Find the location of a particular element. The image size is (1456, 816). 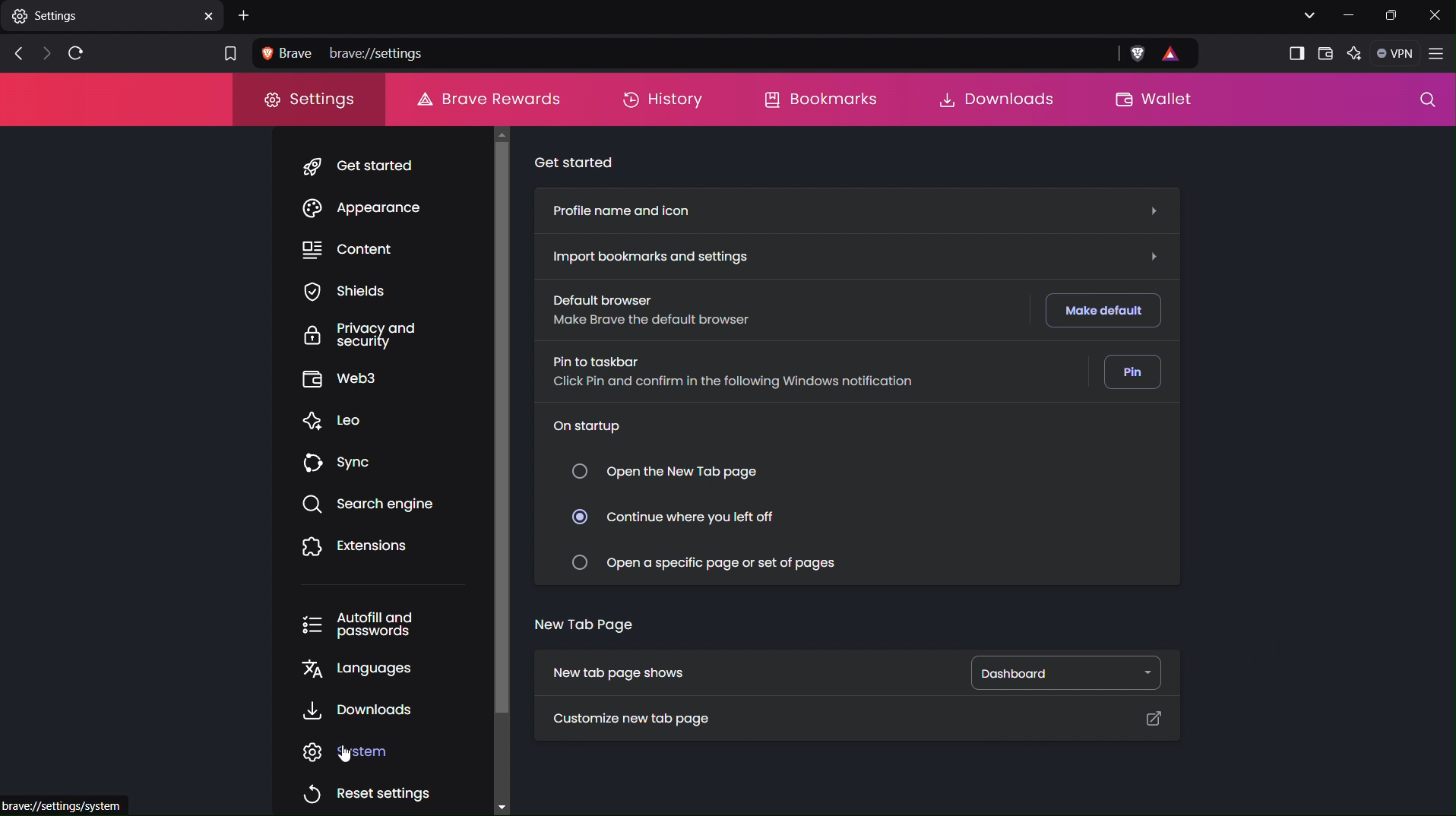

Scrollbar is located at coordinates (504, 467).